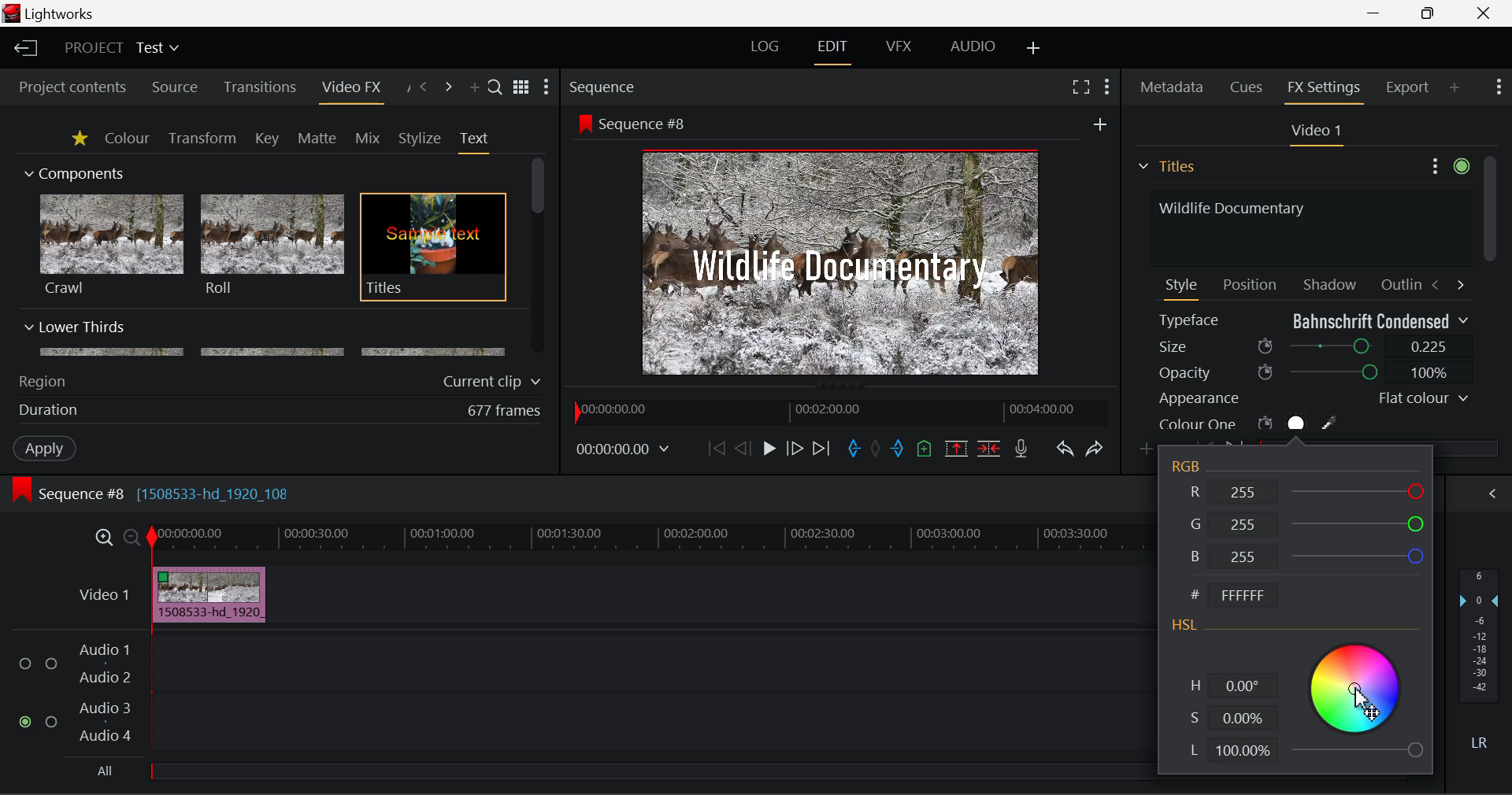 The width and height of the screenshot is (1512, 795). I want to click on Typeface, so click(1314, 320).